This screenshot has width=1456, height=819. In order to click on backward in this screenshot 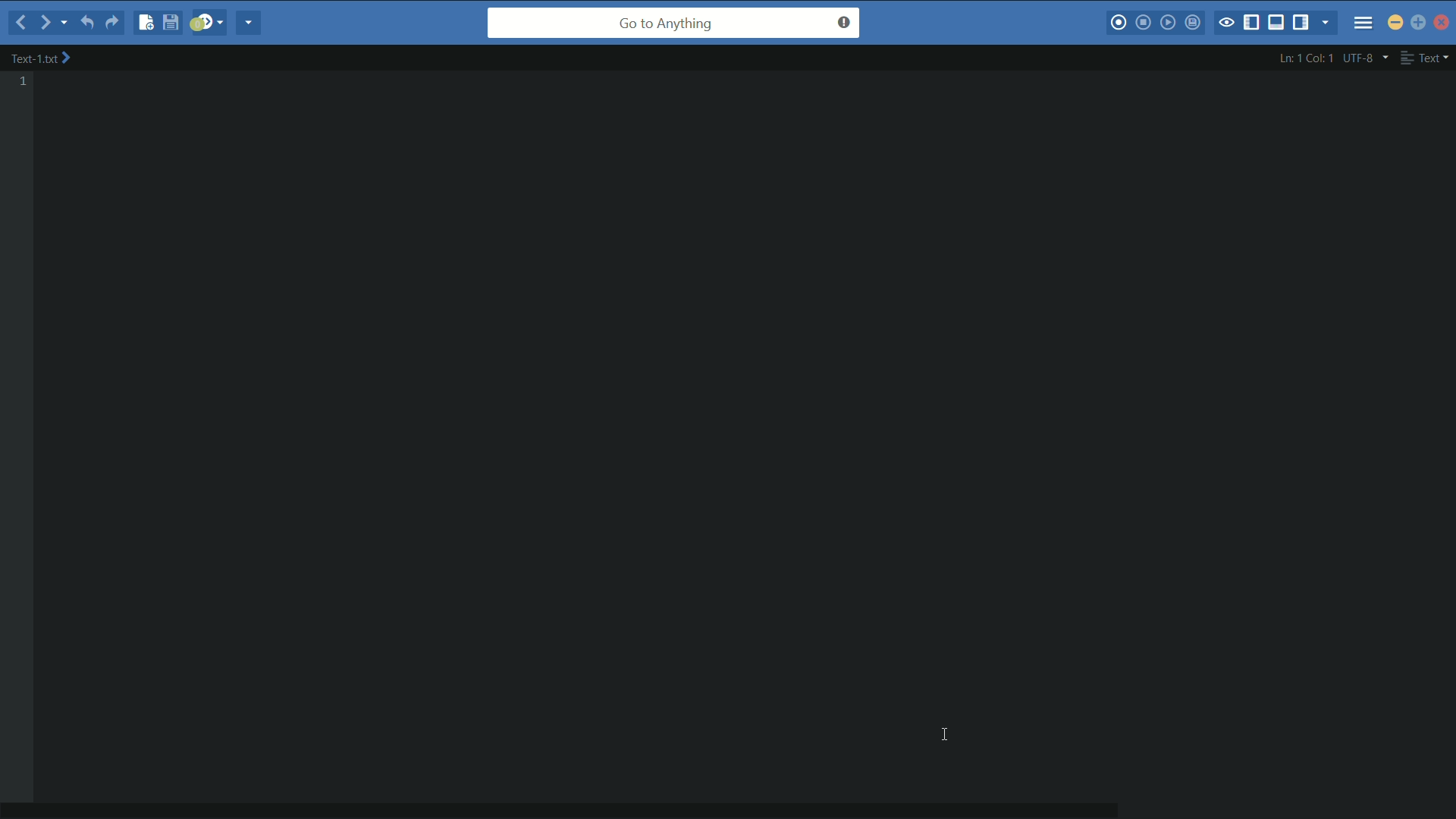, I will do `click(17, 22)`.